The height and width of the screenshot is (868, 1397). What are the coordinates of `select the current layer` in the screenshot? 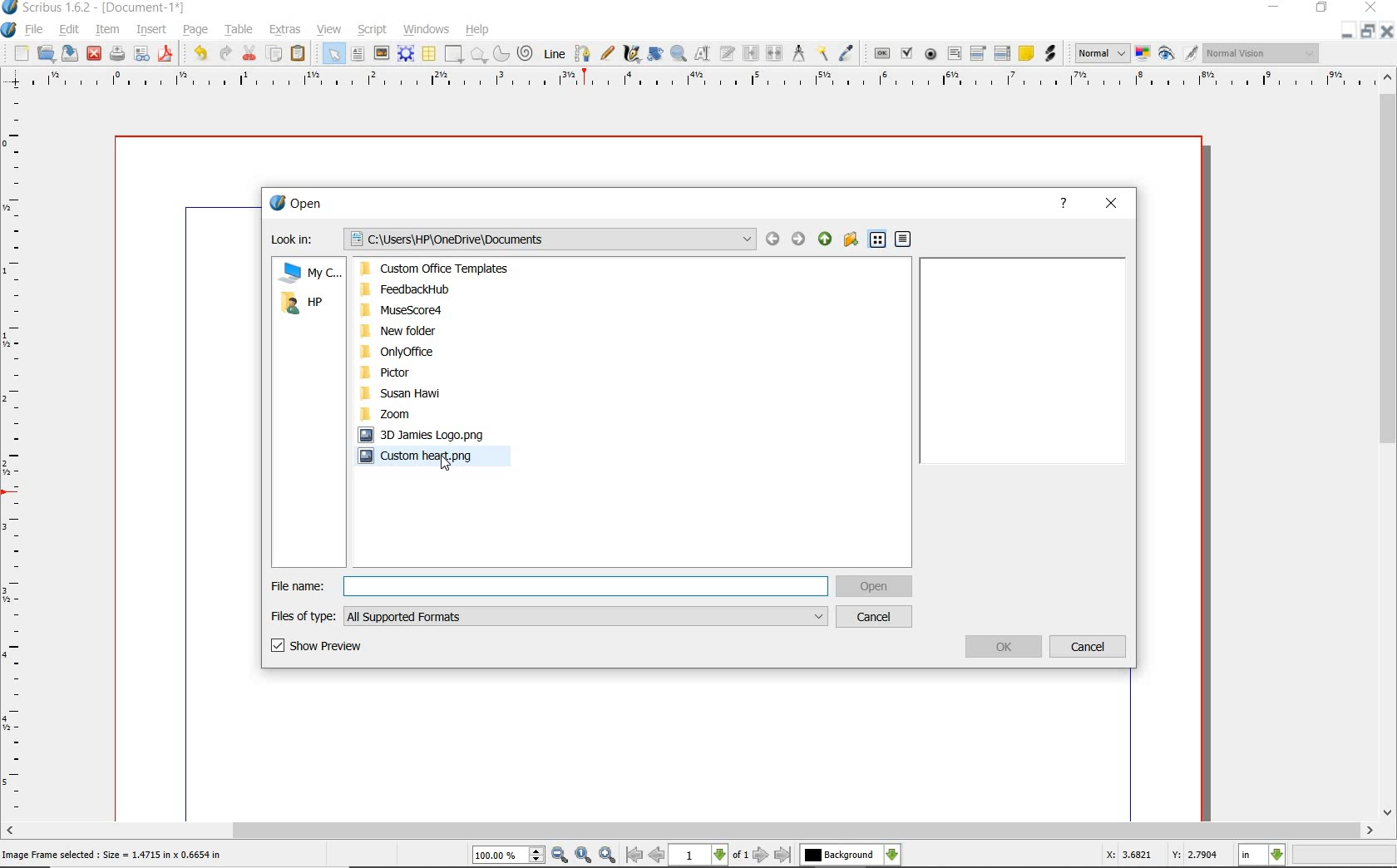 It's located at (850, 855).